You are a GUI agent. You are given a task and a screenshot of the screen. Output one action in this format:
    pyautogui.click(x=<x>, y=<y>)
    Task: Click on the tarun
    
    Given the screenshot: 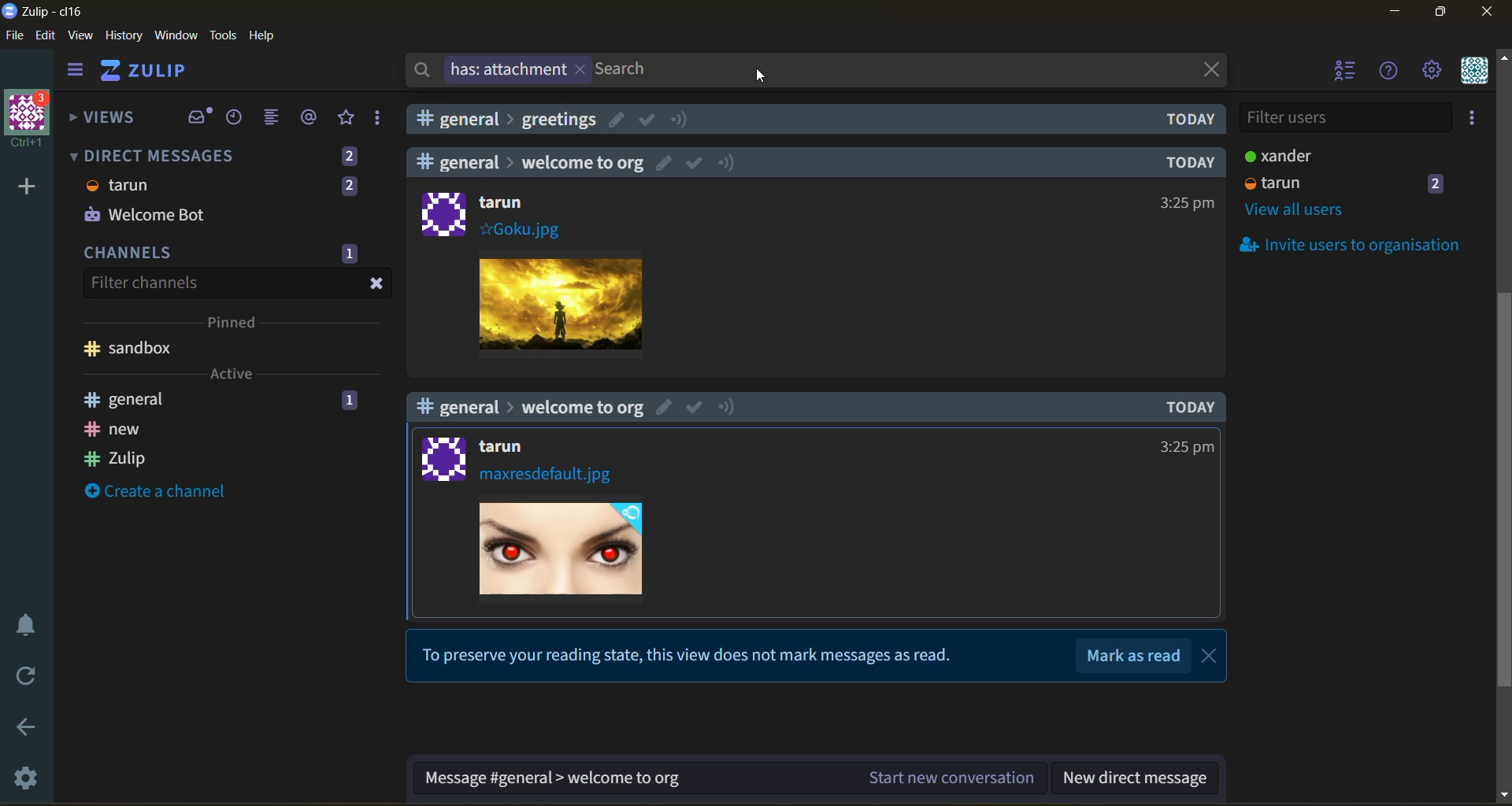 What is the action you would take?
    pyautogui.click(x=1274, y=183)
    